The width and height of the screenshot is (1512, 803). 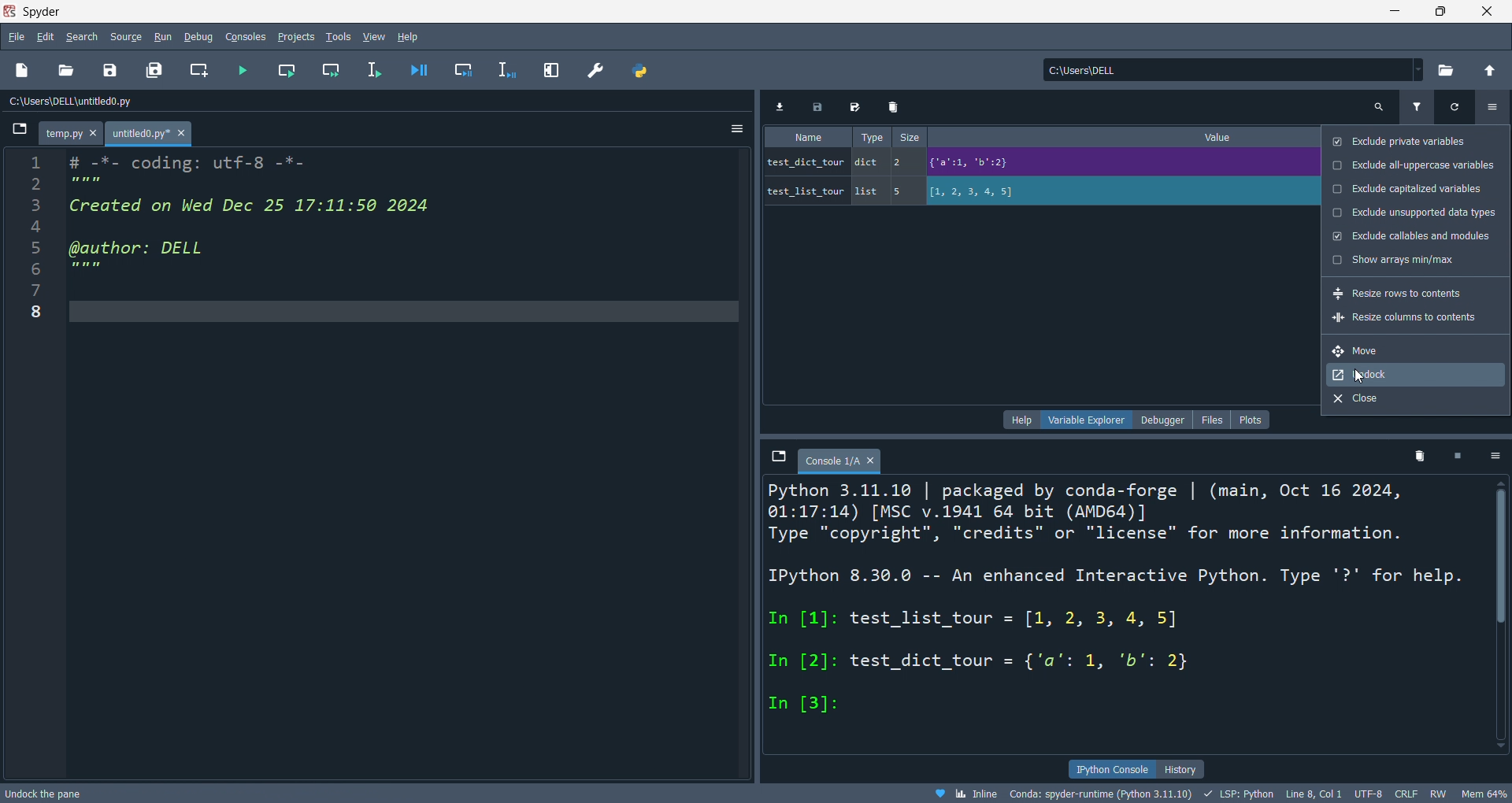 I want to click on variable explorer, so click(x=1088, y=420).